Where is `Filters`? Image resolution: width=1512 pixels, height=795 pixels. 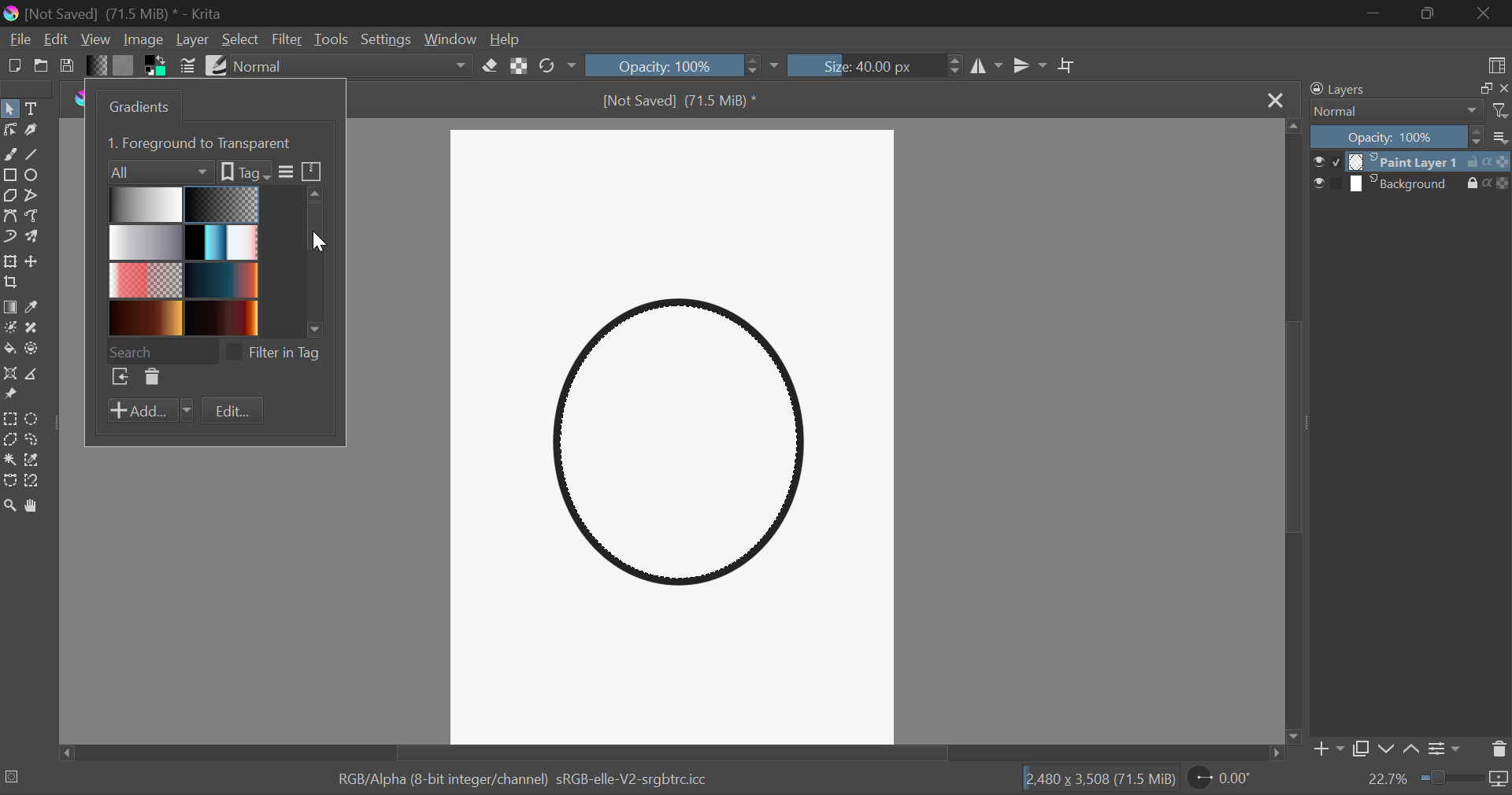 Filters is located at coordinates (156, 172).